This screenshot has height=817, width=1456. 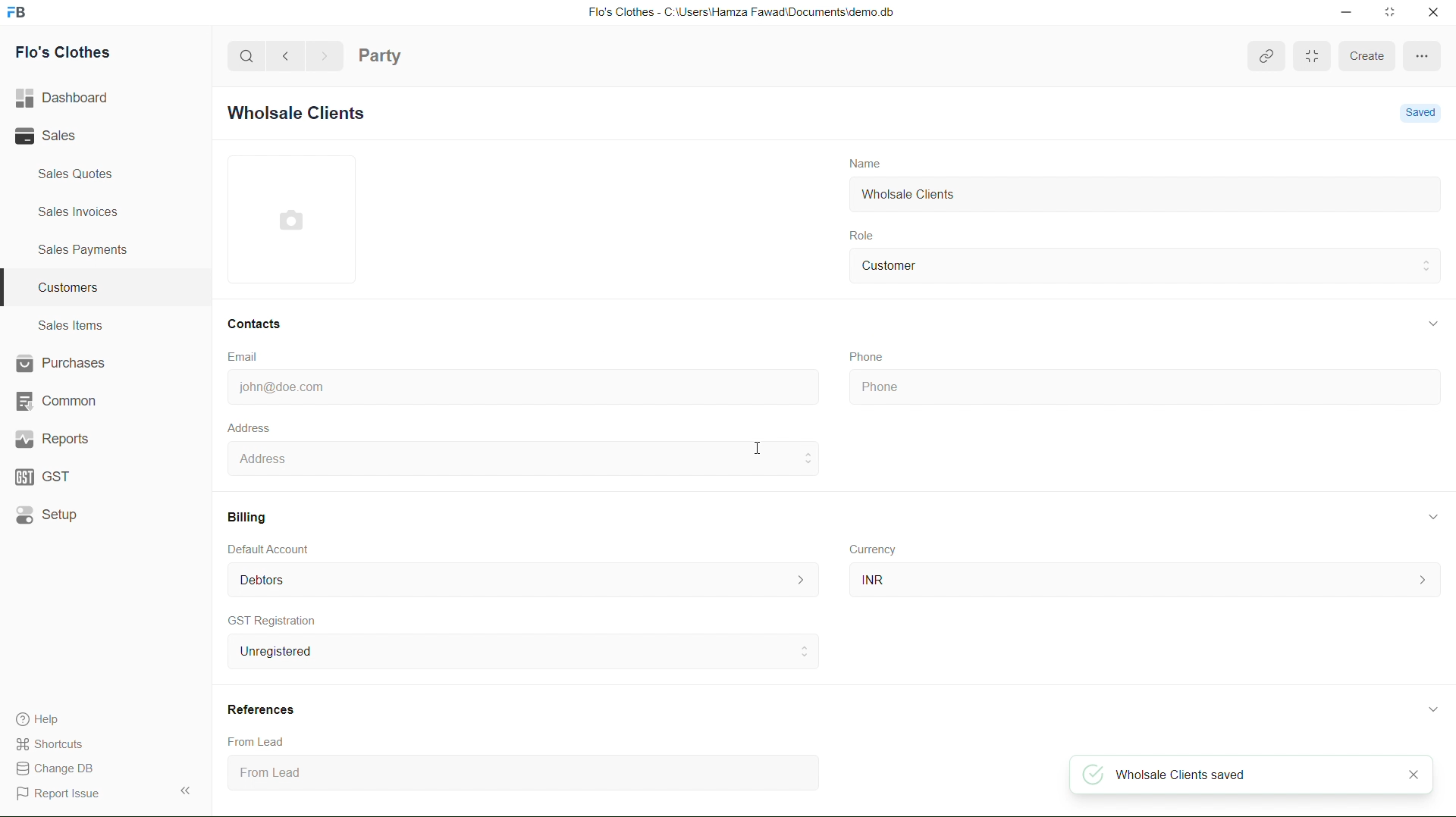 I want to click on References, so click(x=263, y=709).